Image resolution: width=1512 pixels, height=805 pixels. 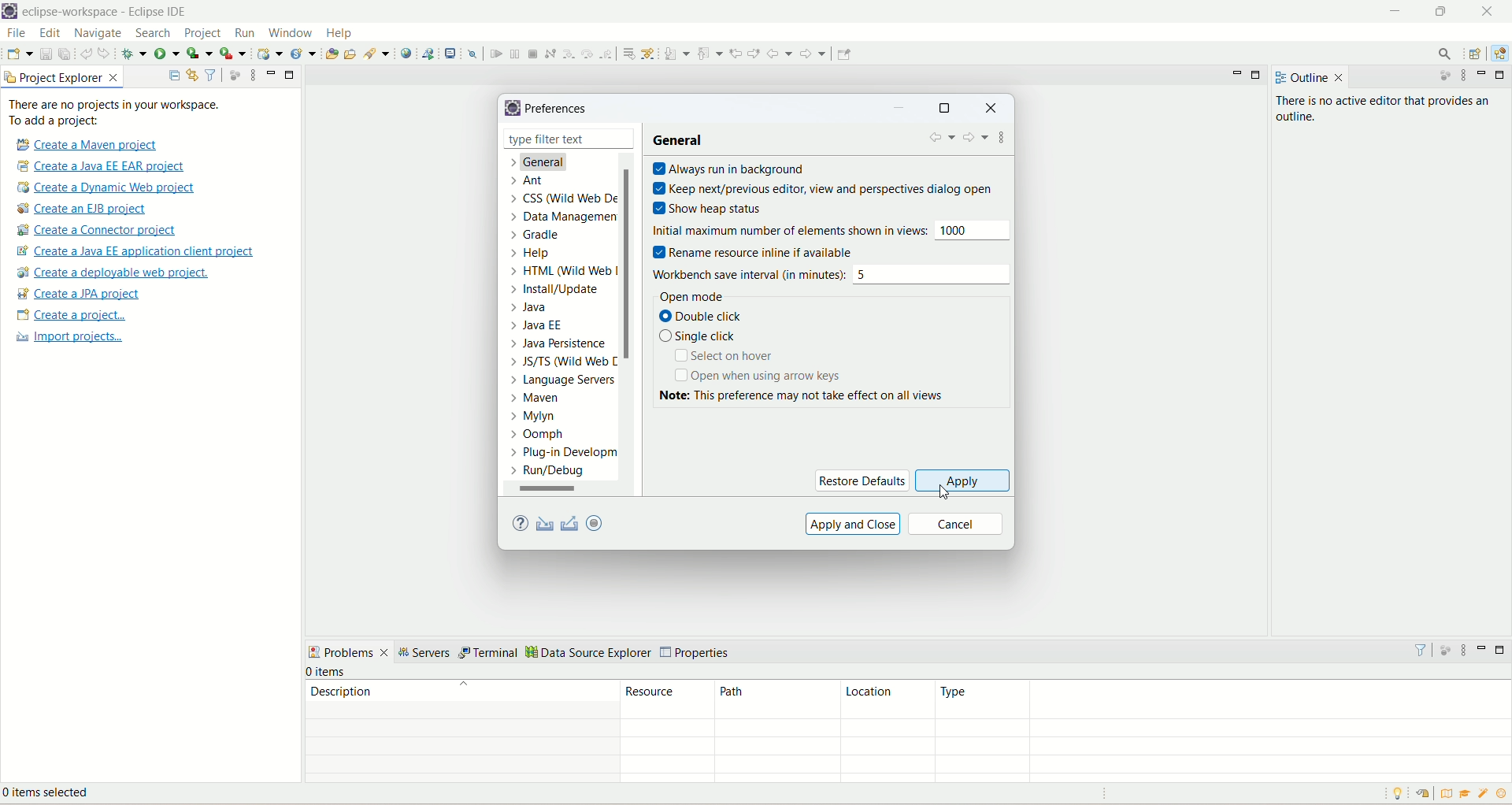 I want to click on open web service, so click(x=406, y=54).